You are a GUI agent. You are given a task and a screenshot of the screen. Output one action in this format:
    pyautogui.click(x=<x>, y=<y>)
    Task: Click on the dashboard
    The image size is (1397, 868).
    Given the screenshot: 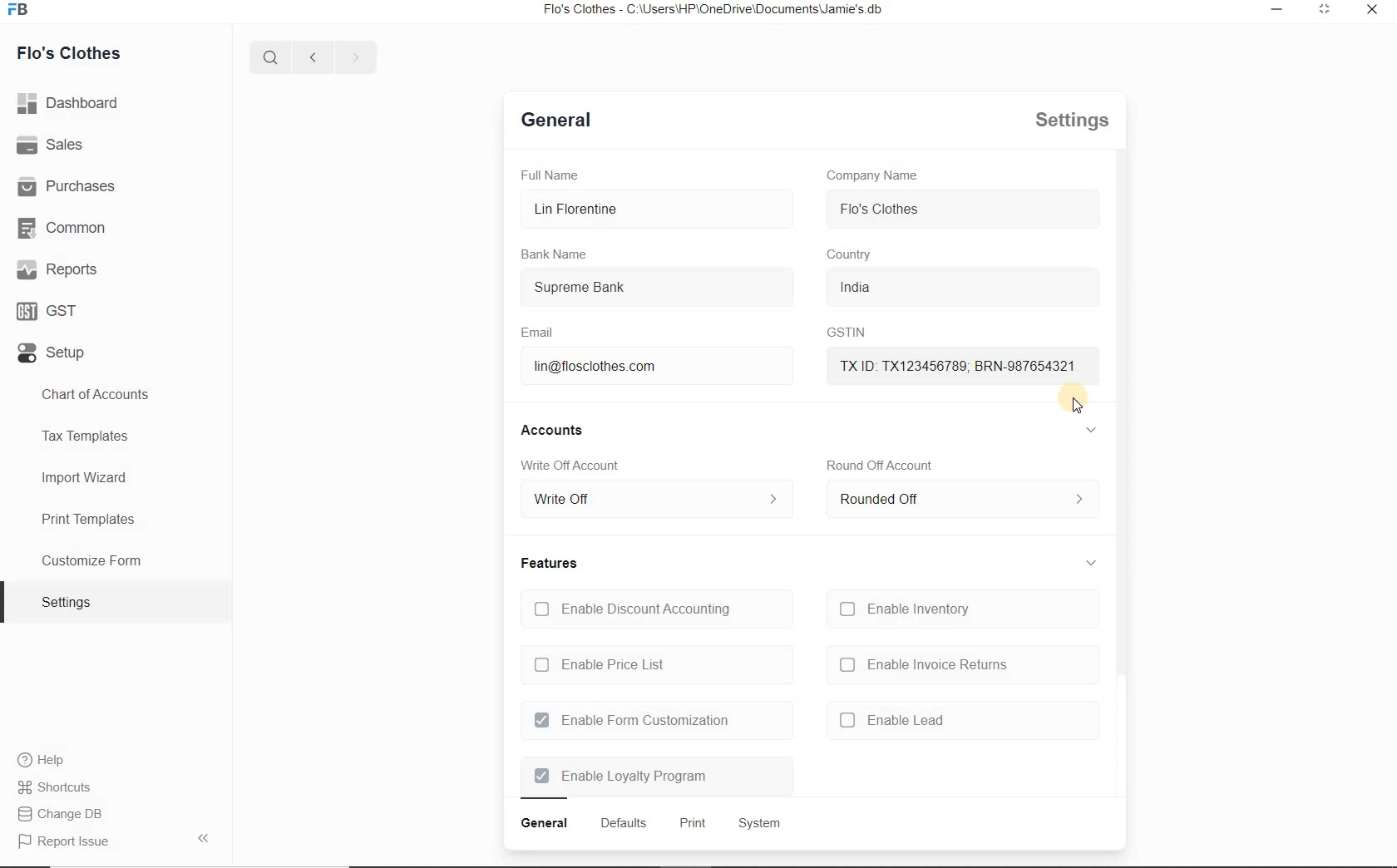 What is the action you would take?
    pyautogui.click(x=70, y=103)
    